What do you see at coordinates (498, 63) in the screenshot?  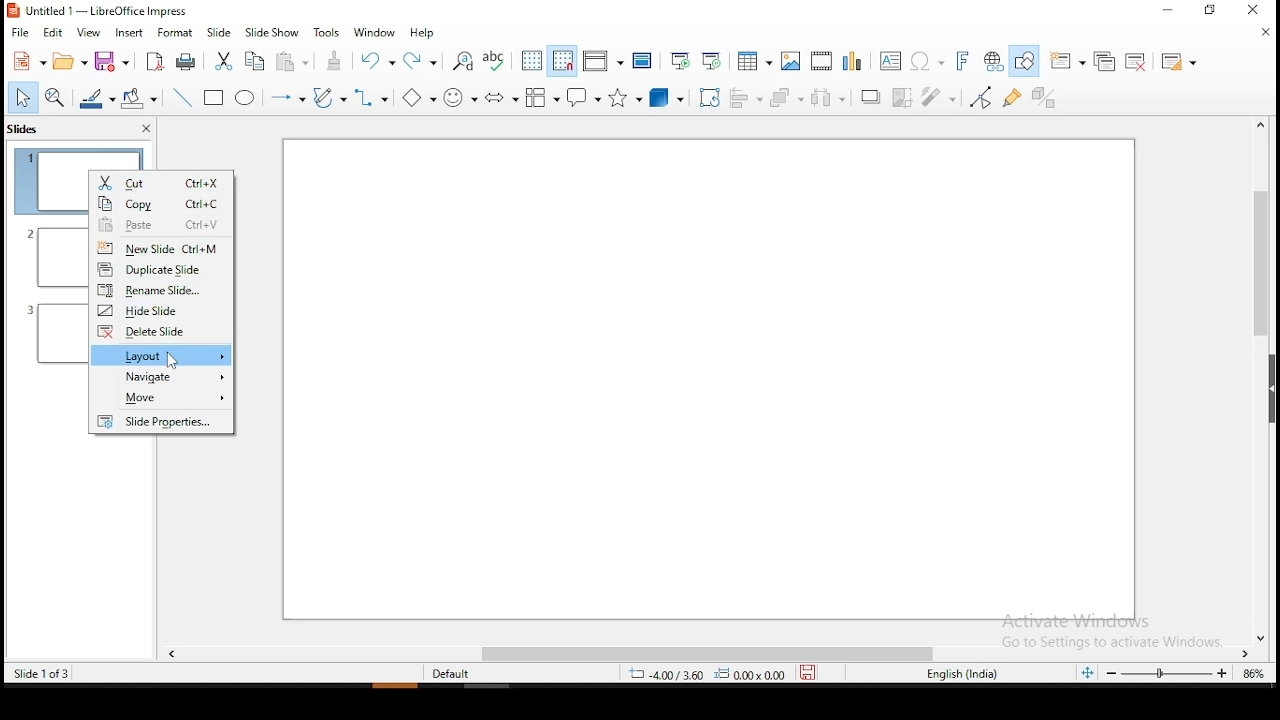 I see `spell check` at bounding box center [498, 63].